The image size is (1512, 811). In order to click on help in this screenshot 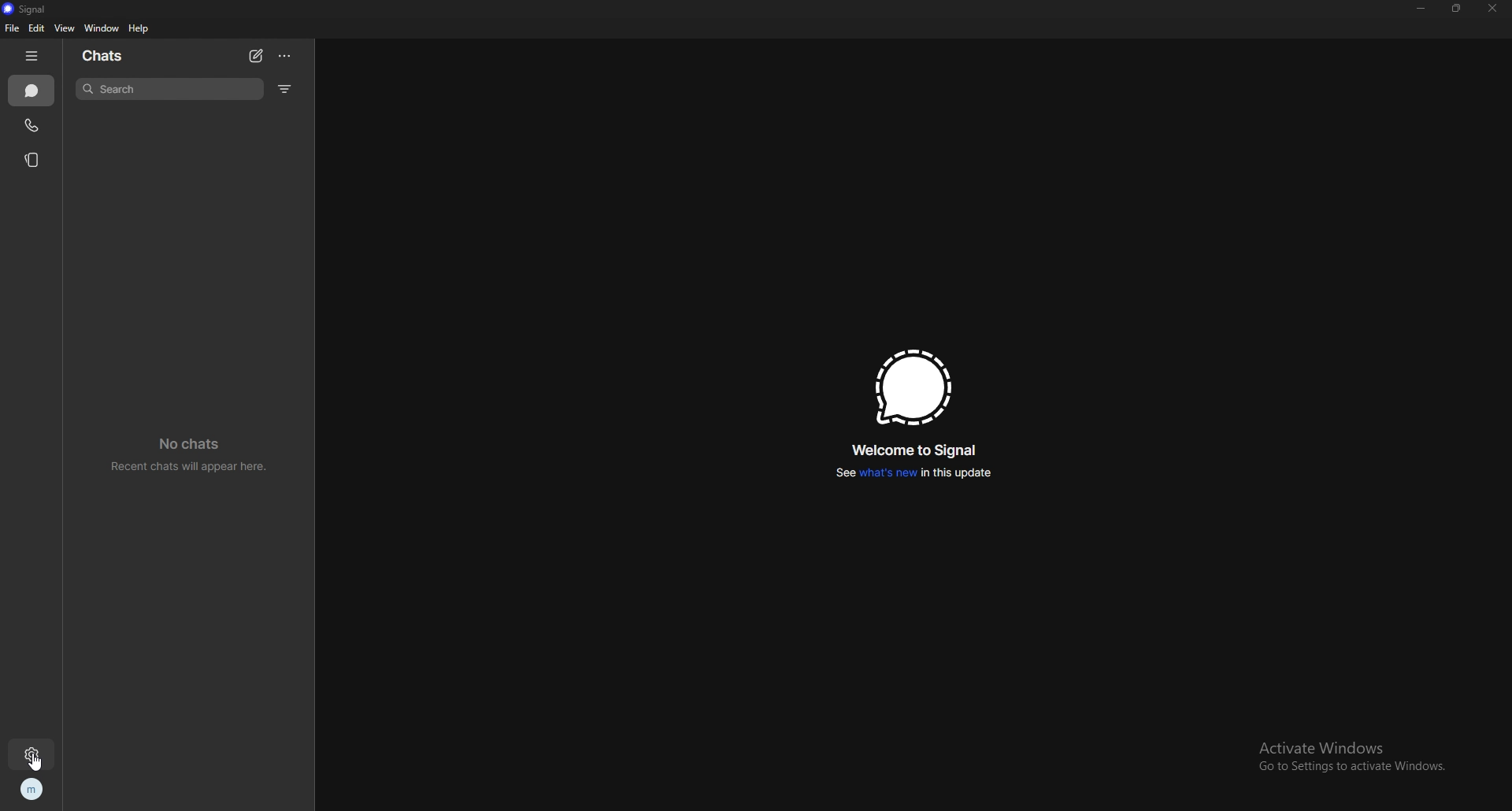, I will do `click(140, 28)`.